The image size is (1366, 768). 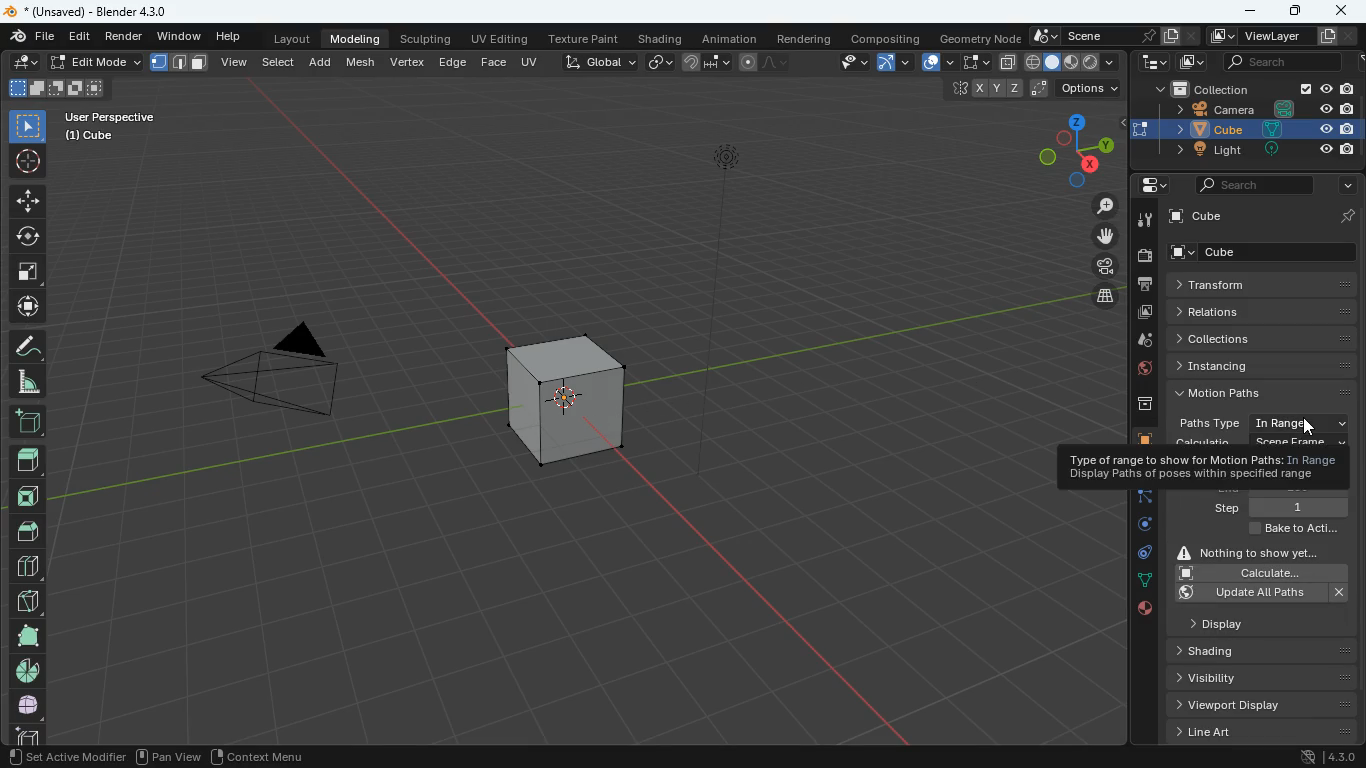 What do you see at coordinates (1260, 732) in the screenshot?
I see `Line art` at bounding box center [1260, 732].